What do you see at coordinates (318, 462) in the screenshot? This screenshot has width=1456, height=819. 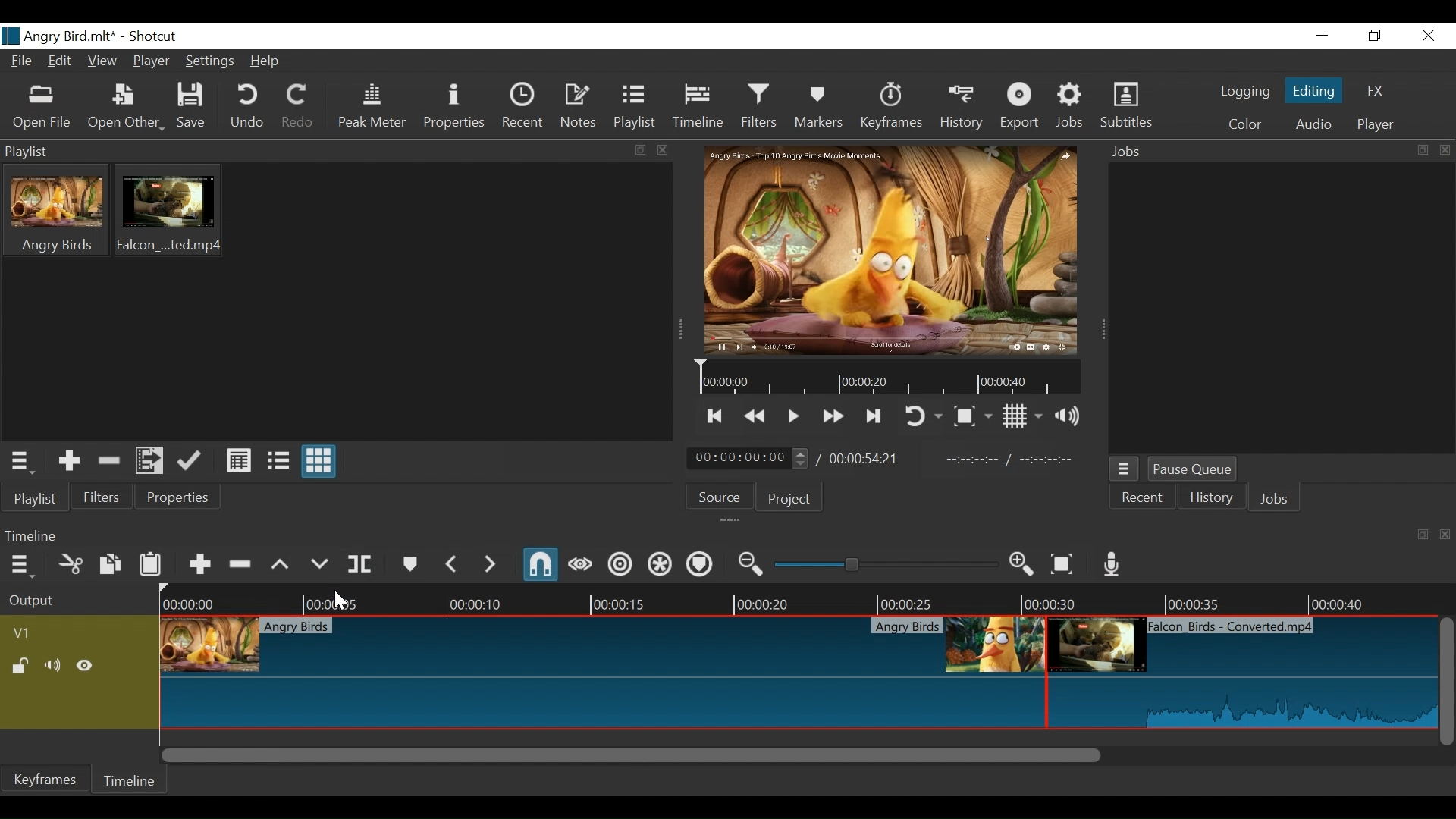 I see `View as icon` at bounding box center [318, 462].